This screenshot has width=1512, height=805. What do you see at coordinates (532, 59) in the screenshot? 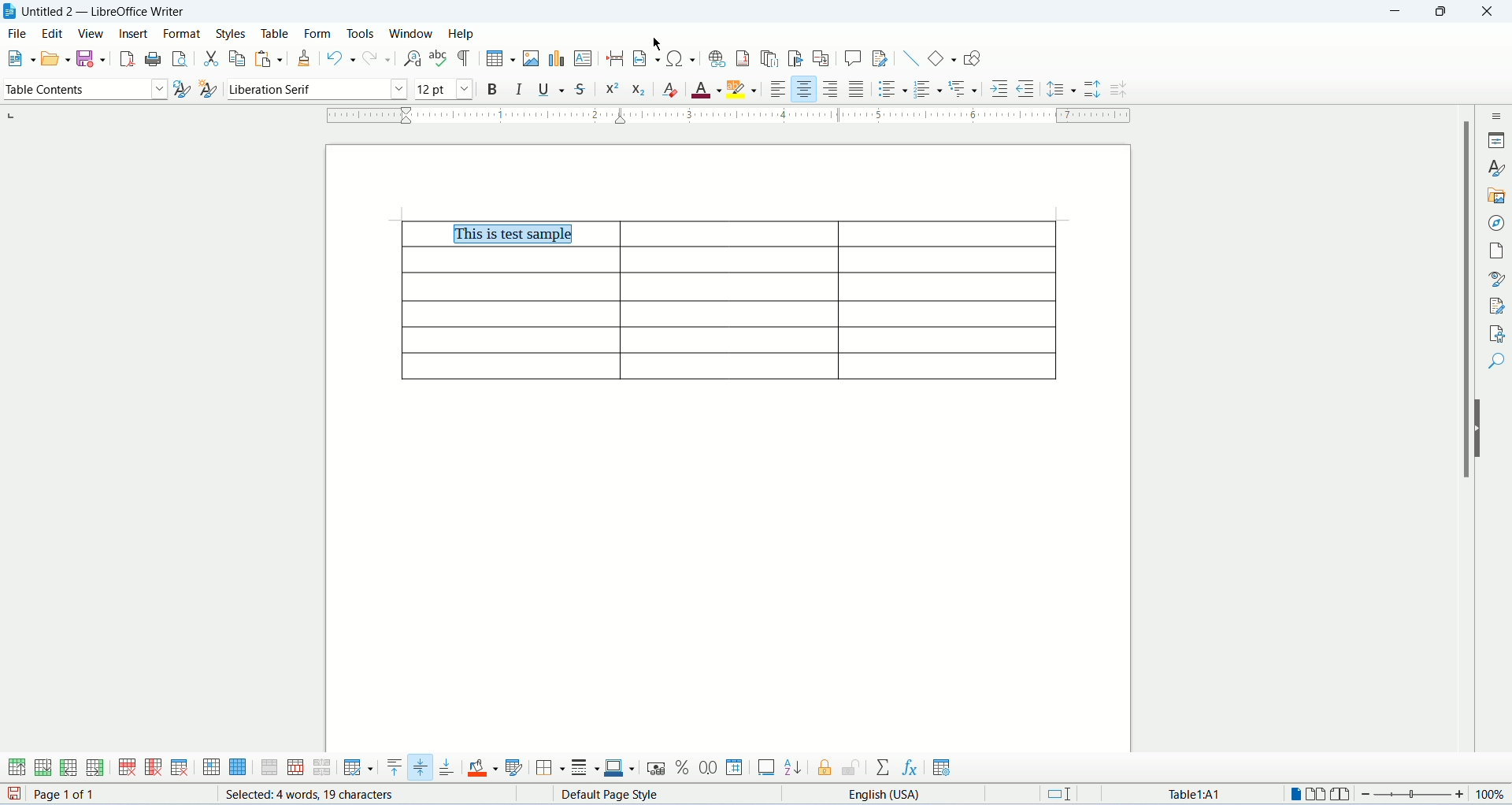
I see `insert image` at bounding box center [532, 59].